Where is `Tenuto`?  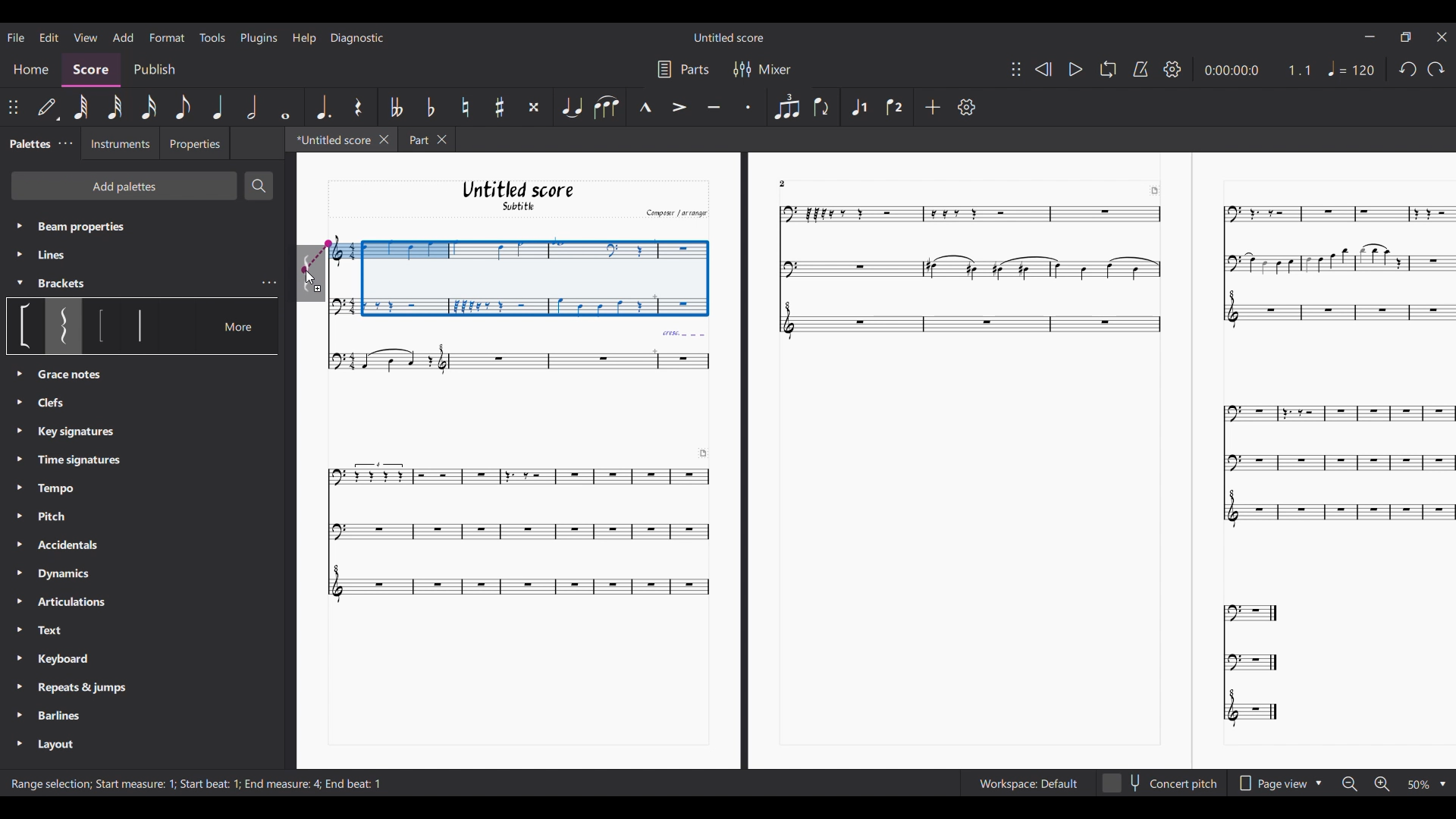 Tenuto is located at coordinates (713, 105).